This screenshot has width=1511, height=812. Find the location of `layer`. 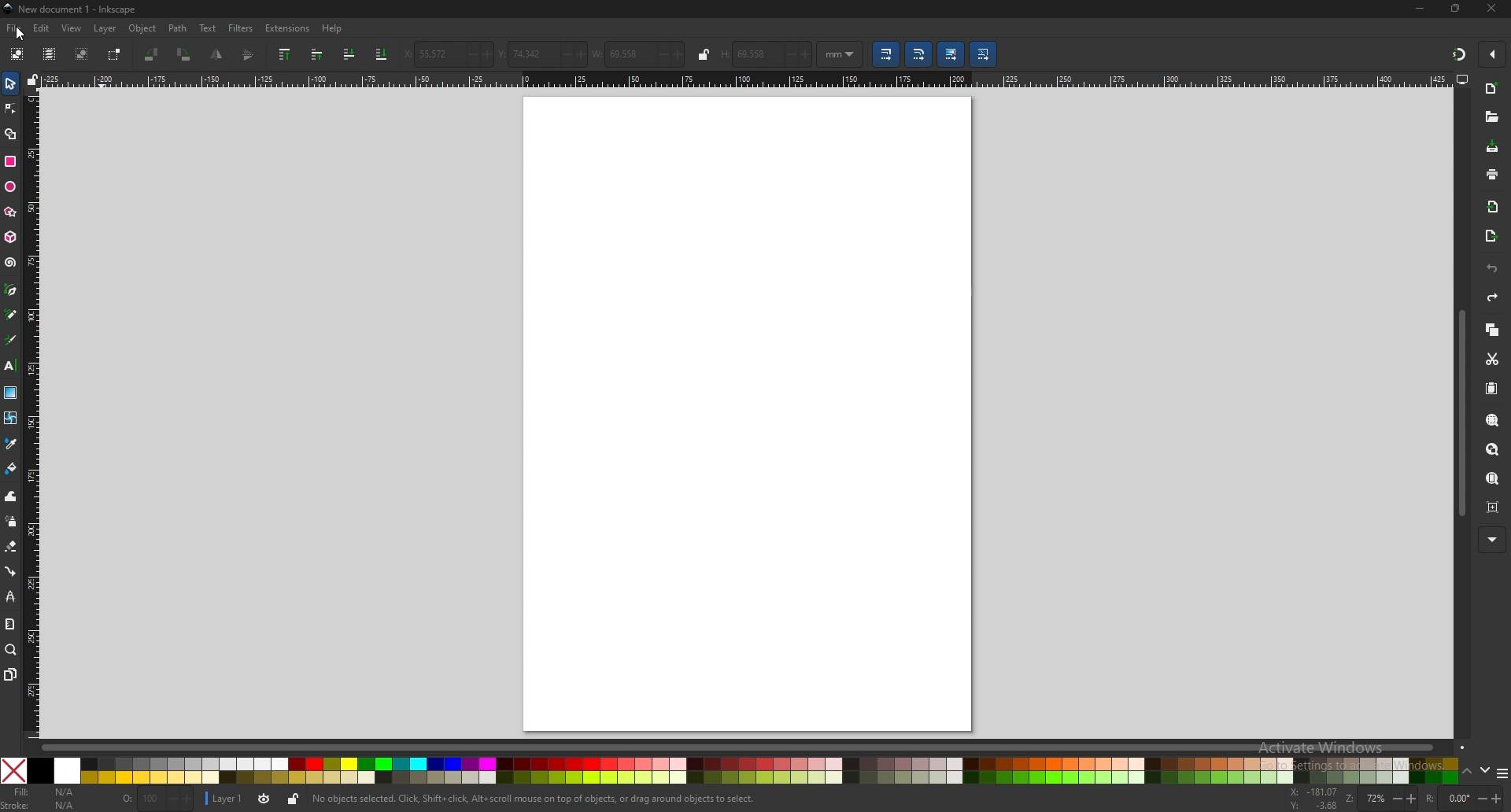

layer is located at coordinates (107, 29).